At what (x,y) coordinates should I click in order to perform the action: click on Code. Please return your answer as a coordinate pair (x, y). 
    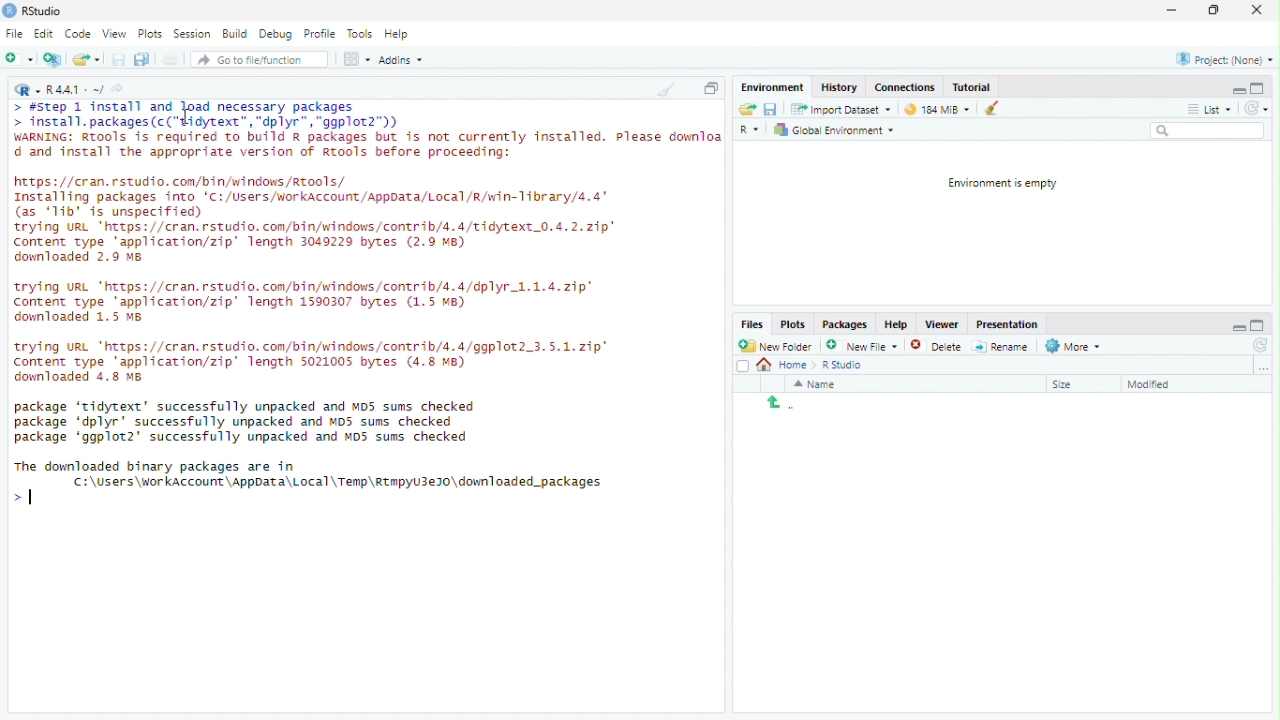
    Looking at the image, I should click on (78, 33).